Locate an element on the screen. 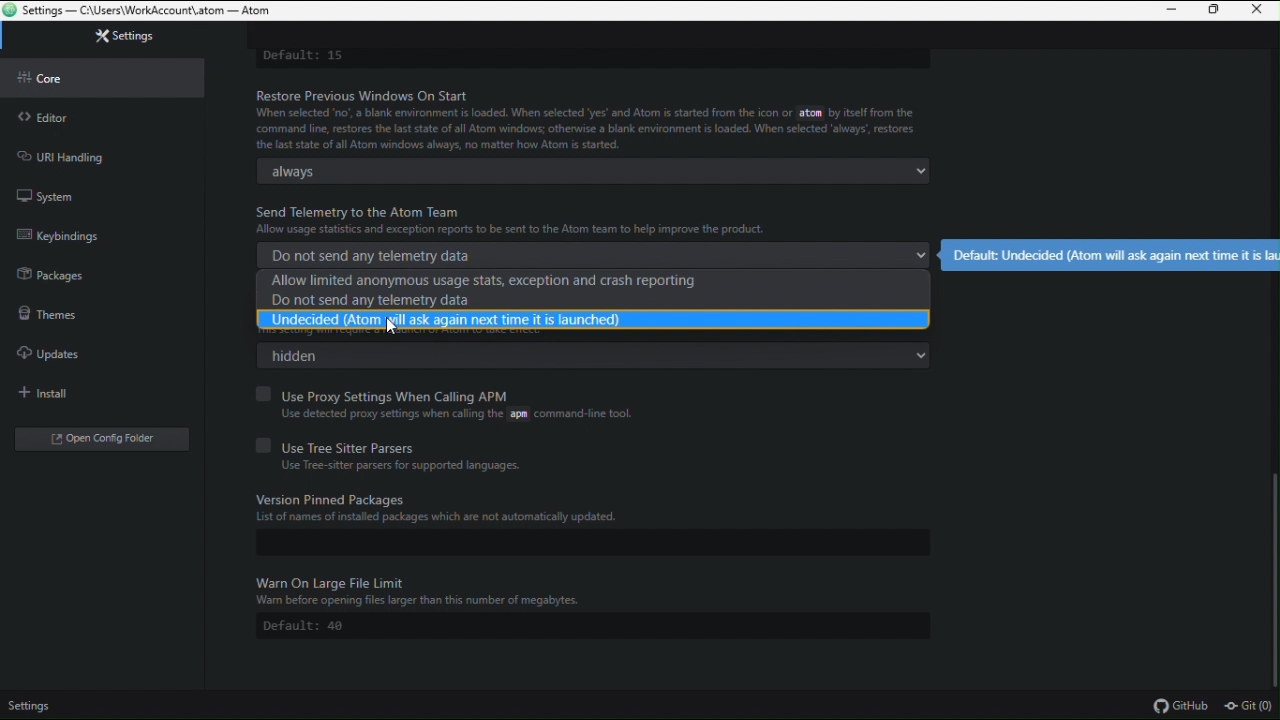 This screenshot has width=1280, height=720. Version Pinned Packages List of names of installed packages which are not automatically updated.  is located at coordinates (568, 511).